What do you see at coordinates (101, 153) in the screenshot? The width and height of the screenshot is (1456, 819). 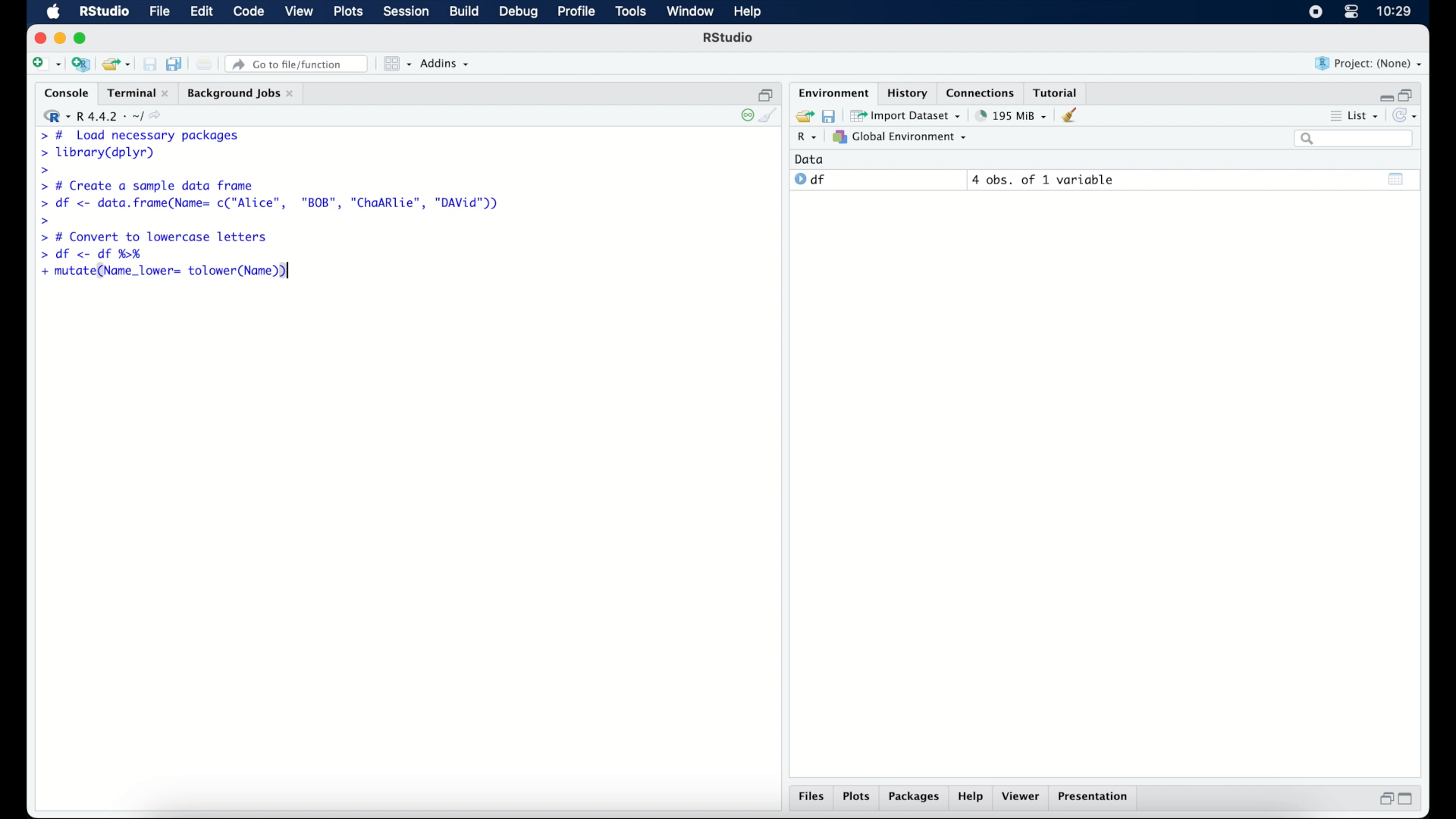 I see `> library(dplyr)|` at bounding box center [101, 153].